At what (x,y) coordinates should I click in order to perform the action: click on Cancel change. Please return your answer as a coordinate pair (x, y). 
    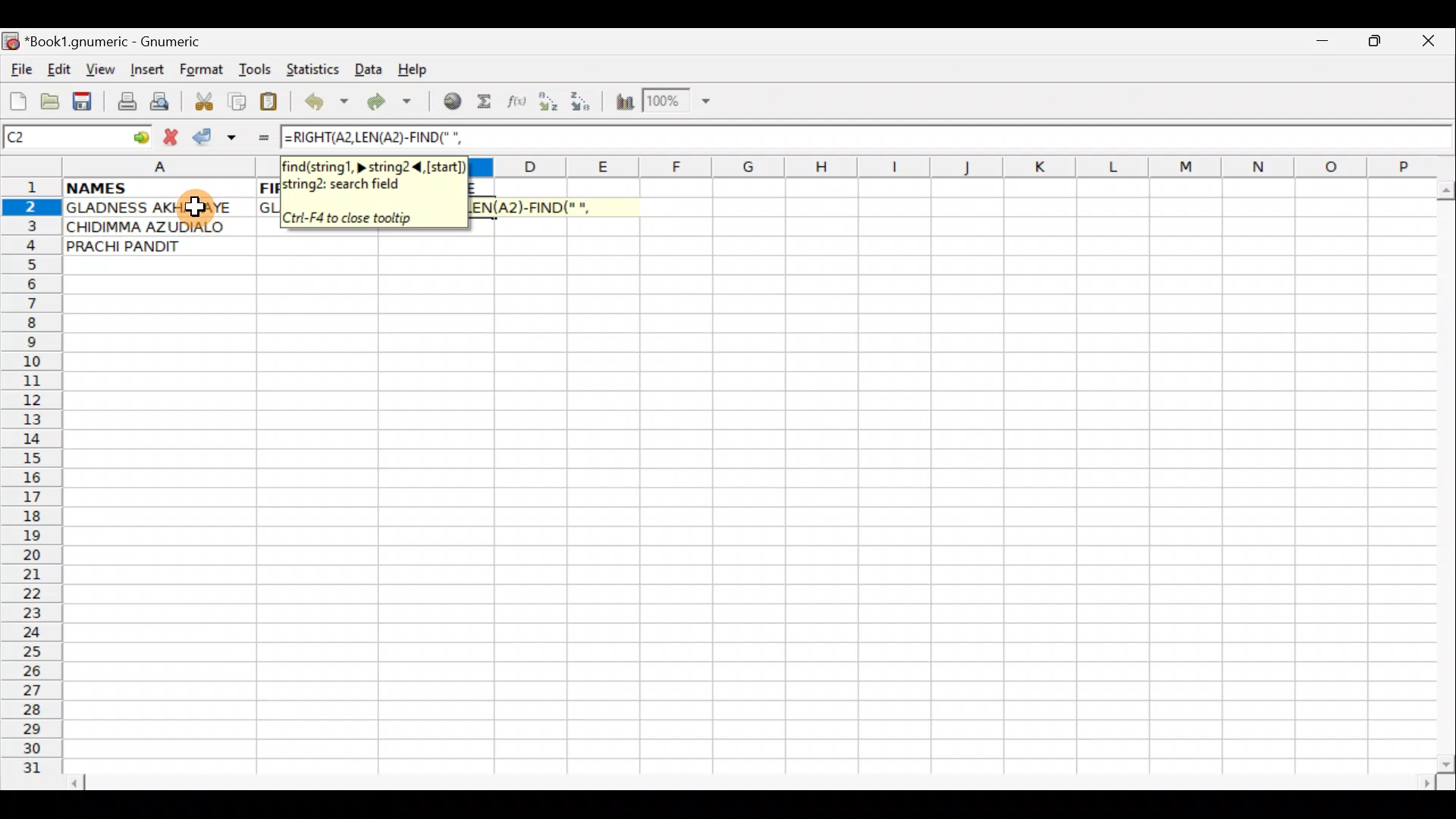
    Looking at the image, I should click on (174, 134).